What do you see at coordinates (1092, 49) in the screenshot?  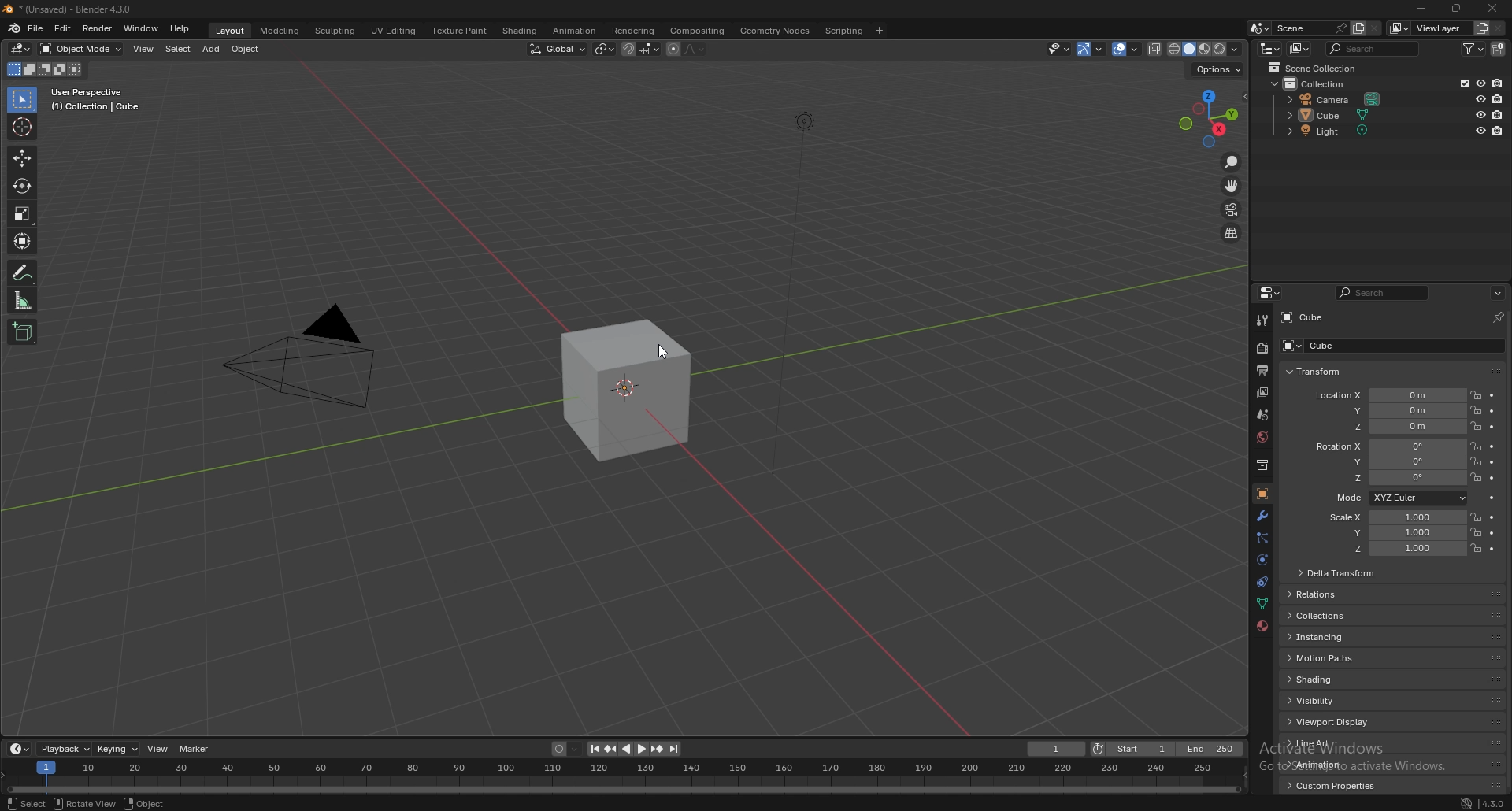 I see `show gizmo` at bounding box center [1092, 49].